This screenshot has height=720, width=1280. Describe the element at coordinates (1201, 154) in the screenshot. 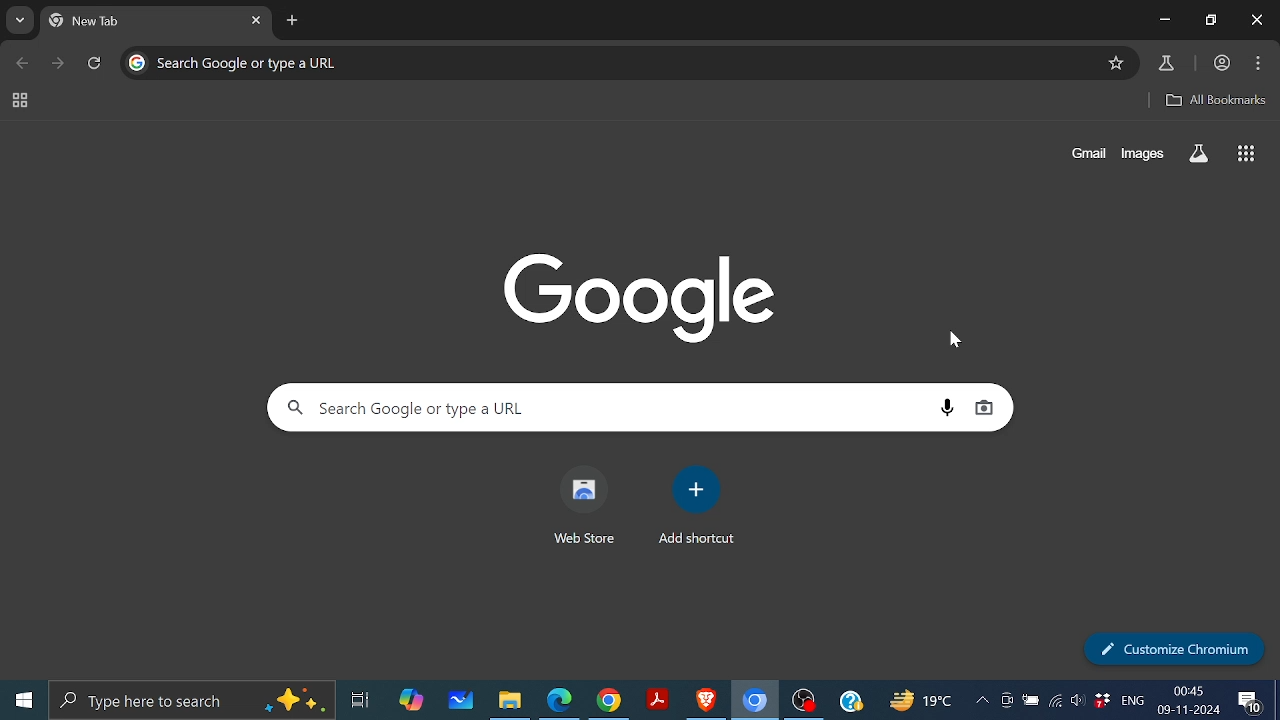

I see `Search labs` at that location.